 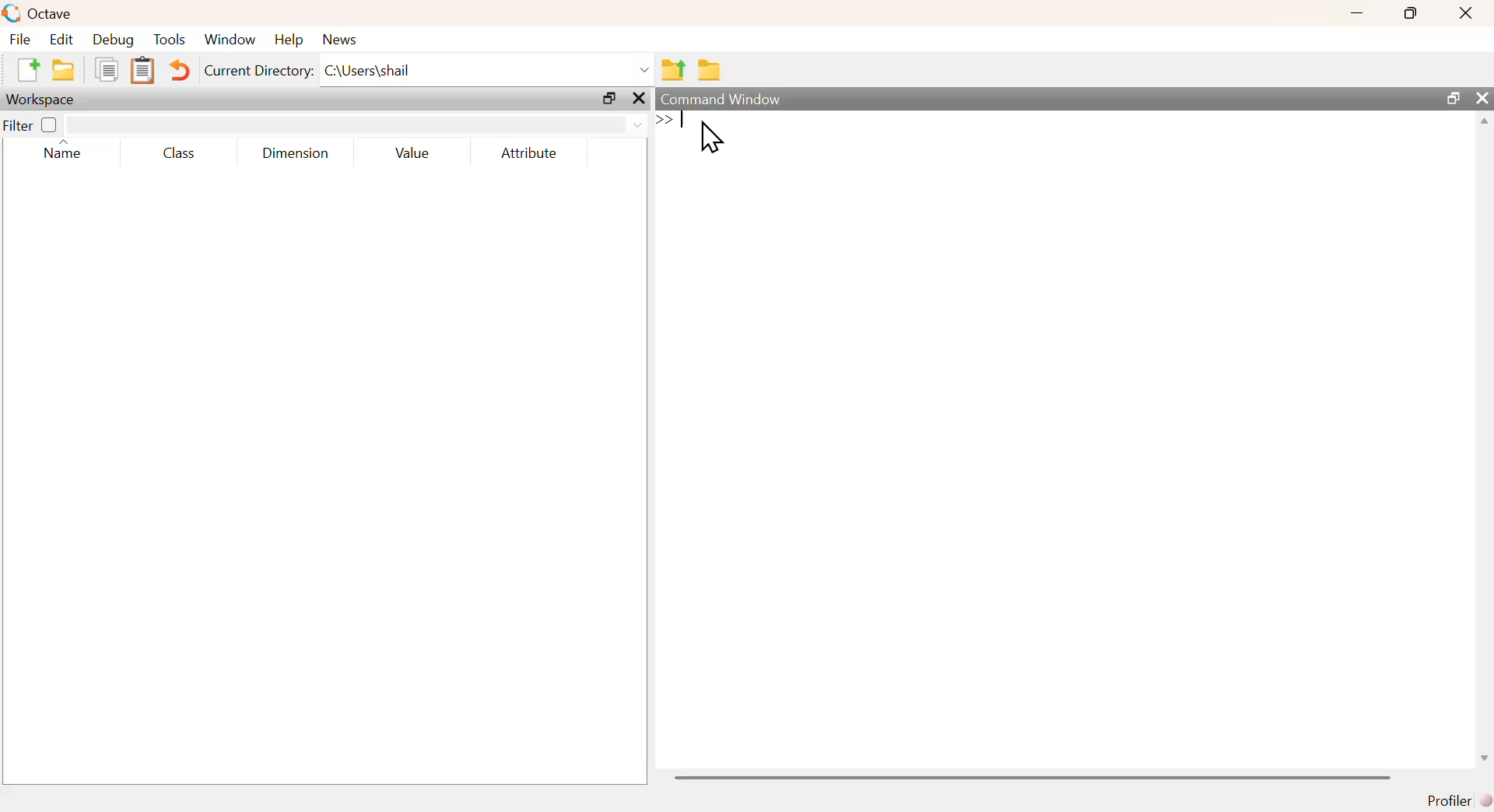 What do you see at coordinates (46, 100) in the screenshot?
I see `workspace` at bounding box center [46, 100].